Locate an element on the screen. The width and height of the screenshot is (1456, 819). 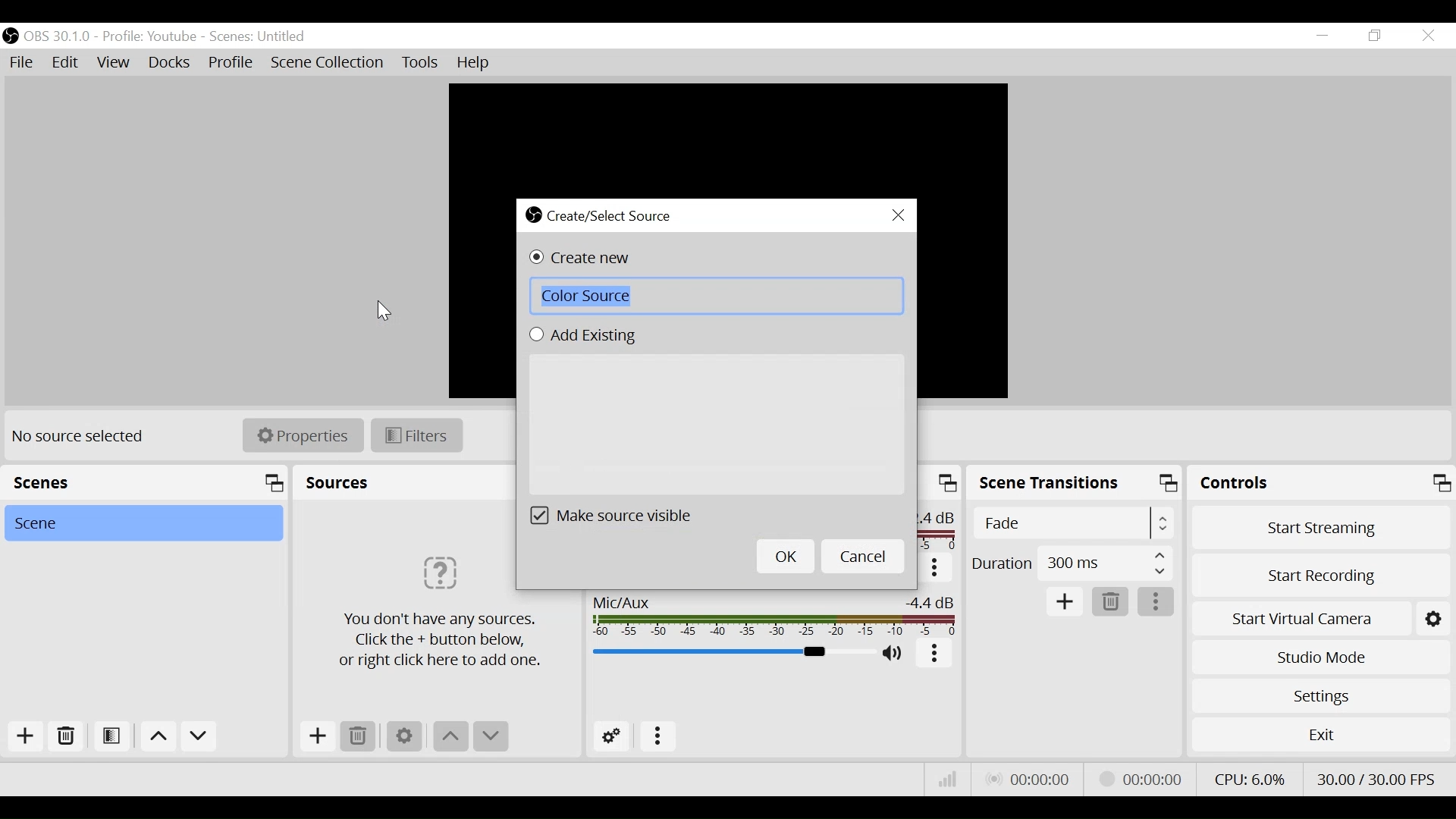
Edit is located at coordinates (65, 61).